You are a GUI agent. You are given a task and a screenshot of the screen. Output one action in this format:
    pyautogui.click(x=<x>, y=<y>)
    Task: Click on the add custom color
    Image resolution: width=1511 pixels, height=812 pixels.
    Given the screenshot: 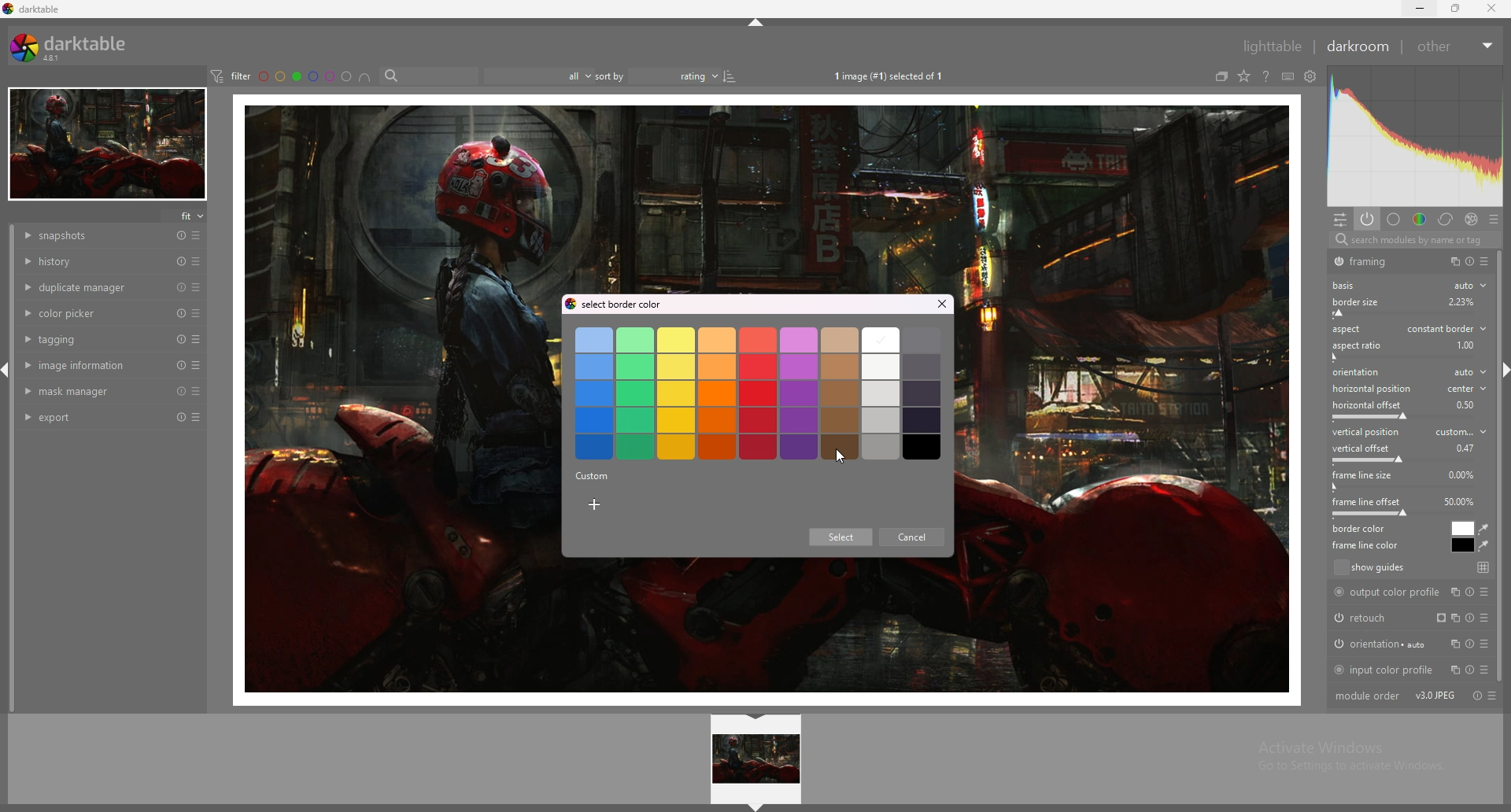 What is the action you would take?
    pyautogui.click(x=597, y=507)
    